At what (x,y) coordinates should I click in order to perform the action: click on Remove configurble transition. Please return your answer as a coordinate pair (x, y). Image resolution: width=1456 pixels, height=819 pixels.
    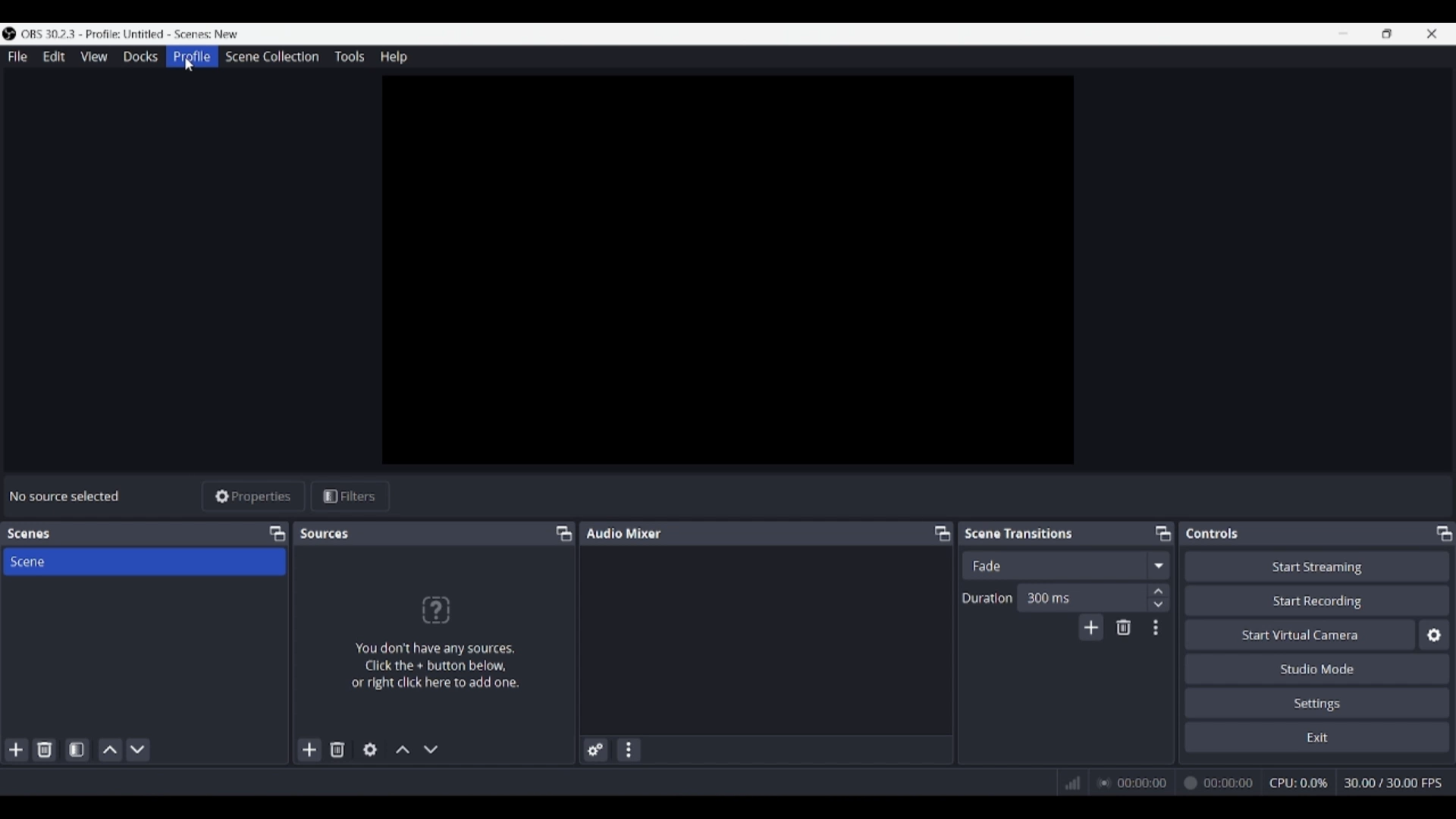
    Looking at the image, I should click on (1124, 627).